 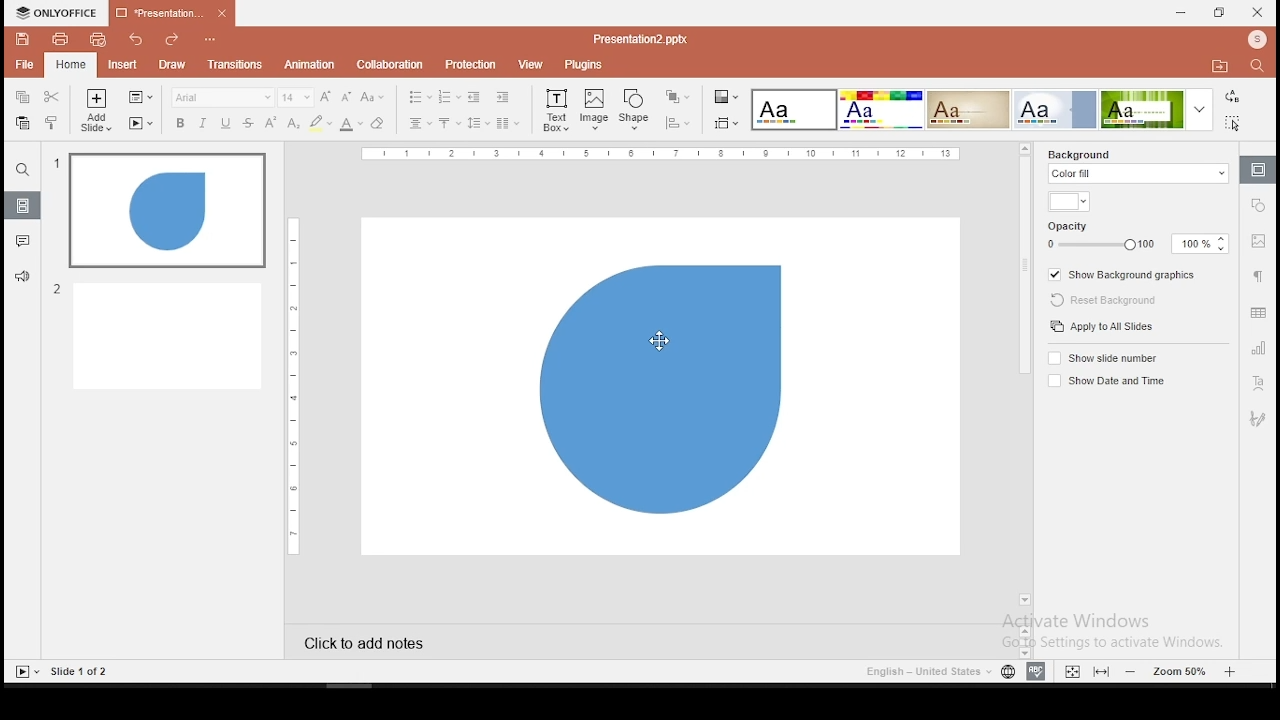 I want to click on find, so click(x=22, y=172).